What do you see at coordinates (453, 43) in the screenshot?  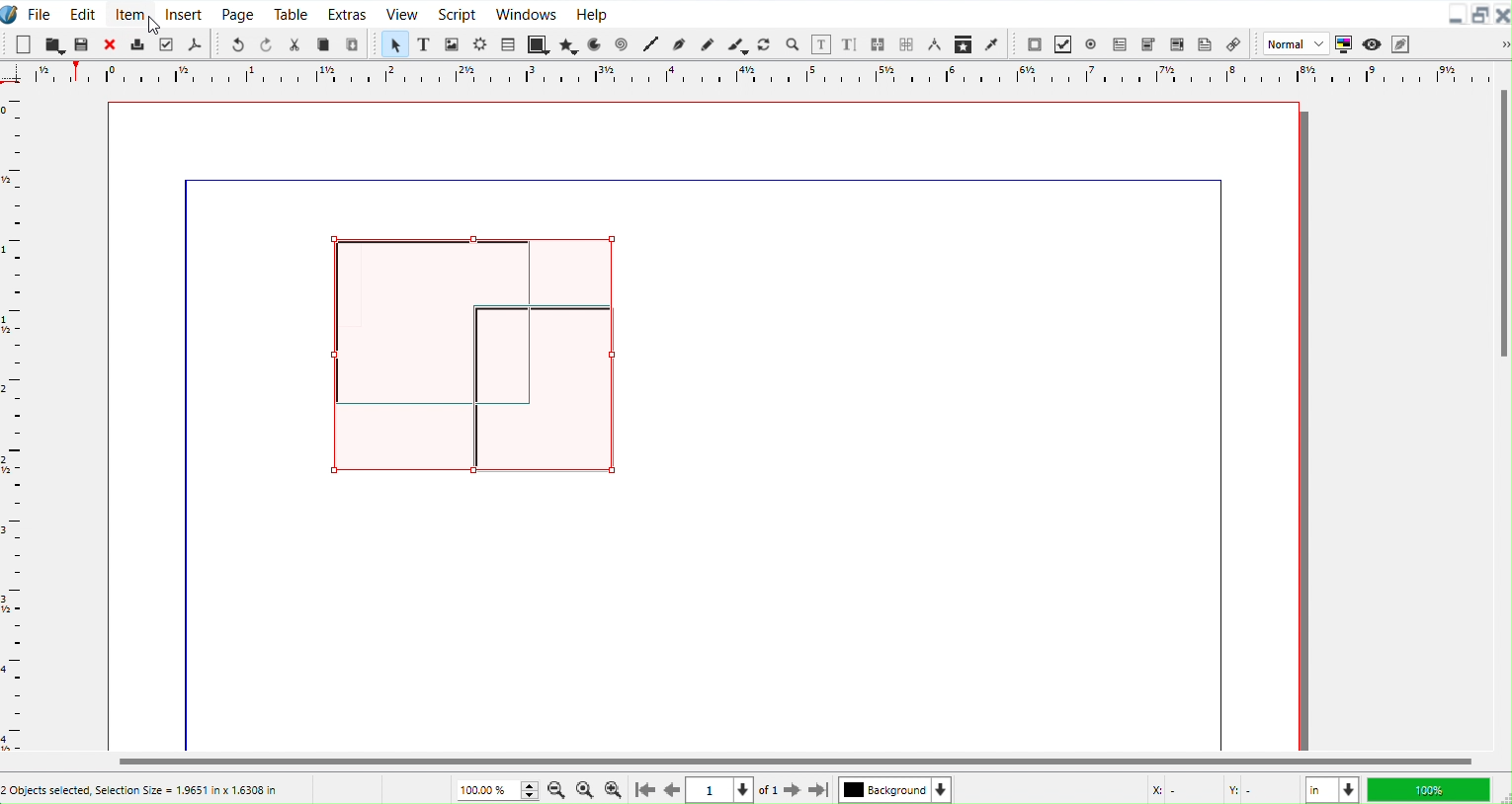 I see `Image Frame` at bounding box center [453, 43].